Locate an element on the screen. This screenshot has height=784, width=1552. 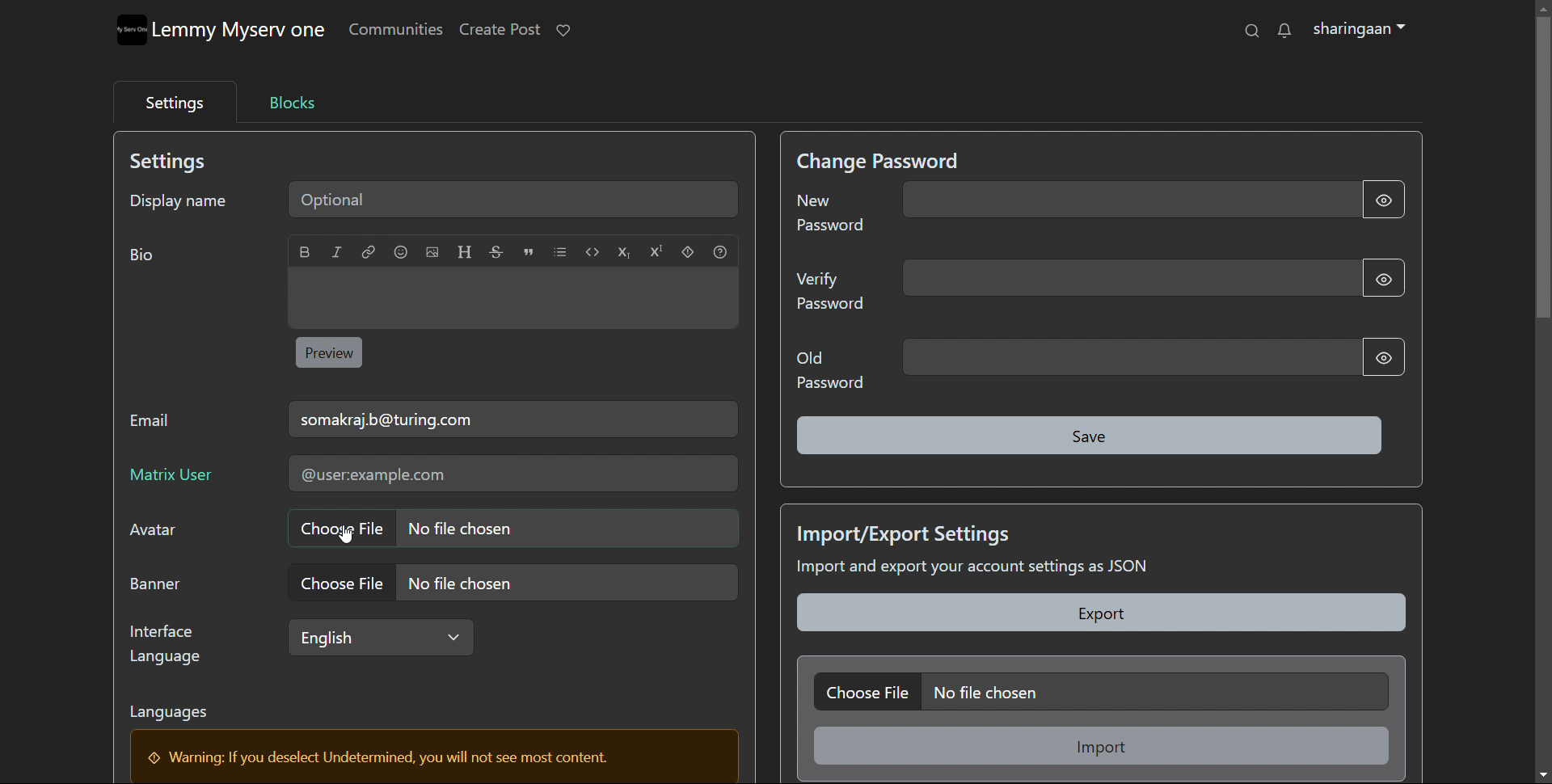
Interface Language is located at coordinates (171, 644).